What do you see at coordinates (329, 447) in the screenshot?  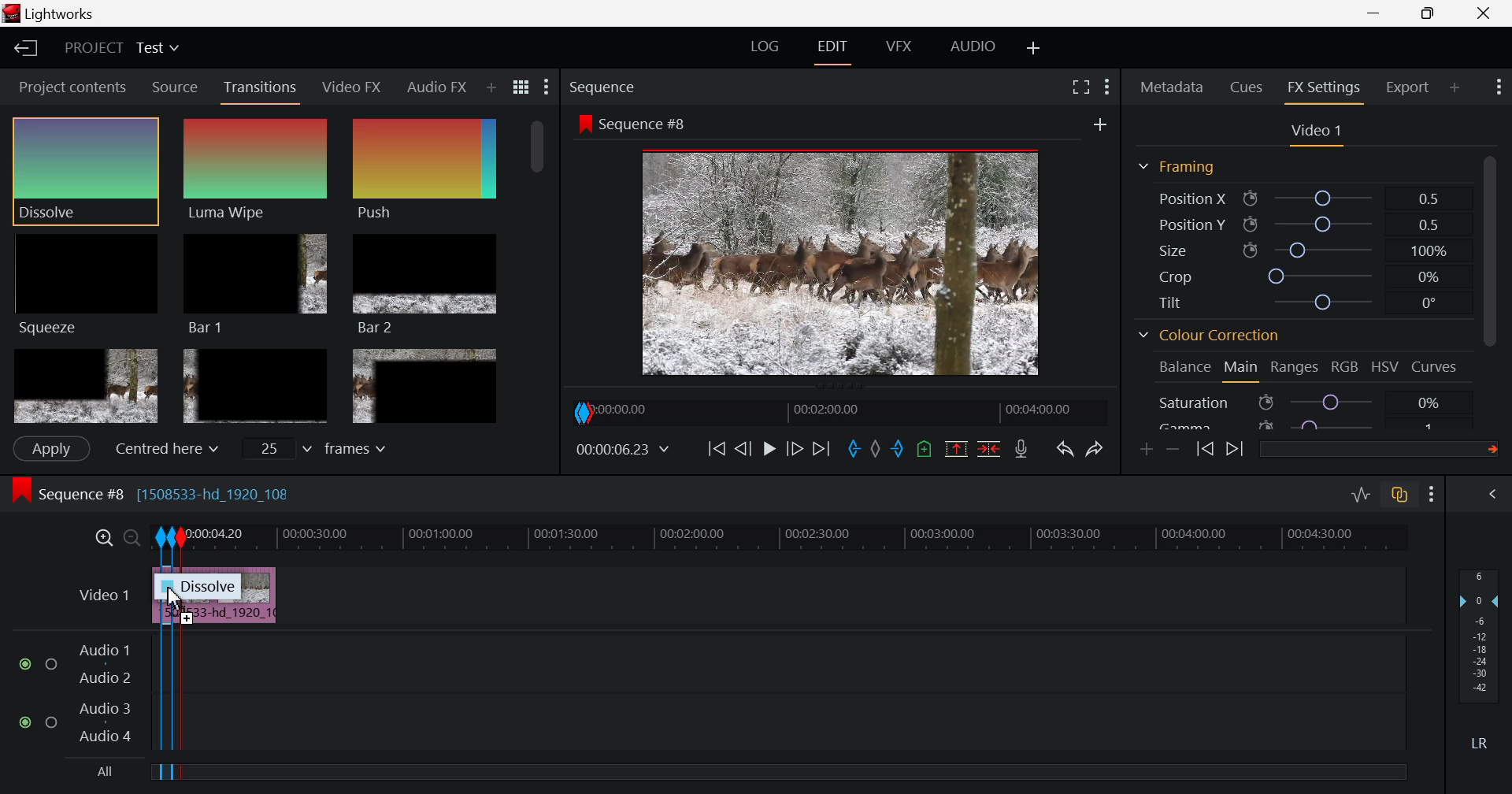 I see `frames input field` at bounding box center [329, 447].